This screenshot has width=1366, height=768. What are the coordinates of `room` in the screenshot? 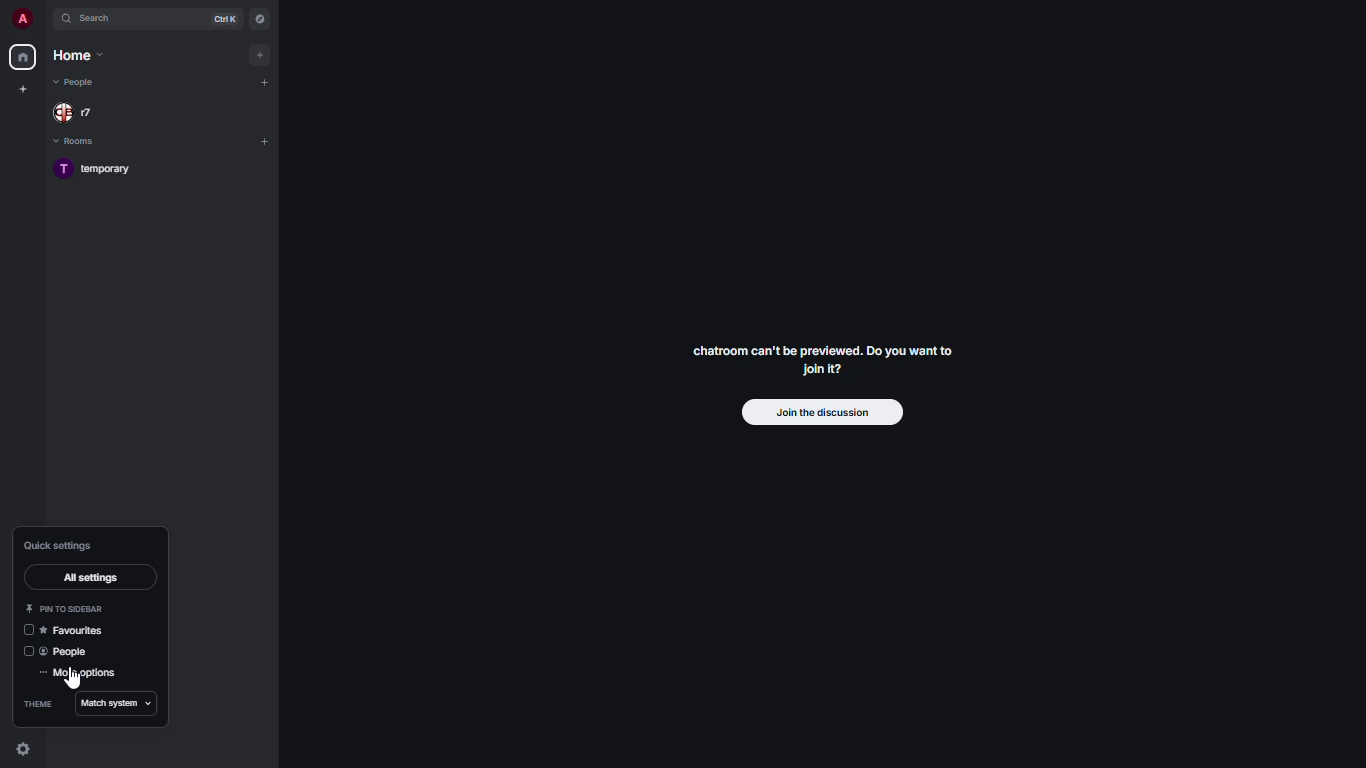 It's located at (98, 170).